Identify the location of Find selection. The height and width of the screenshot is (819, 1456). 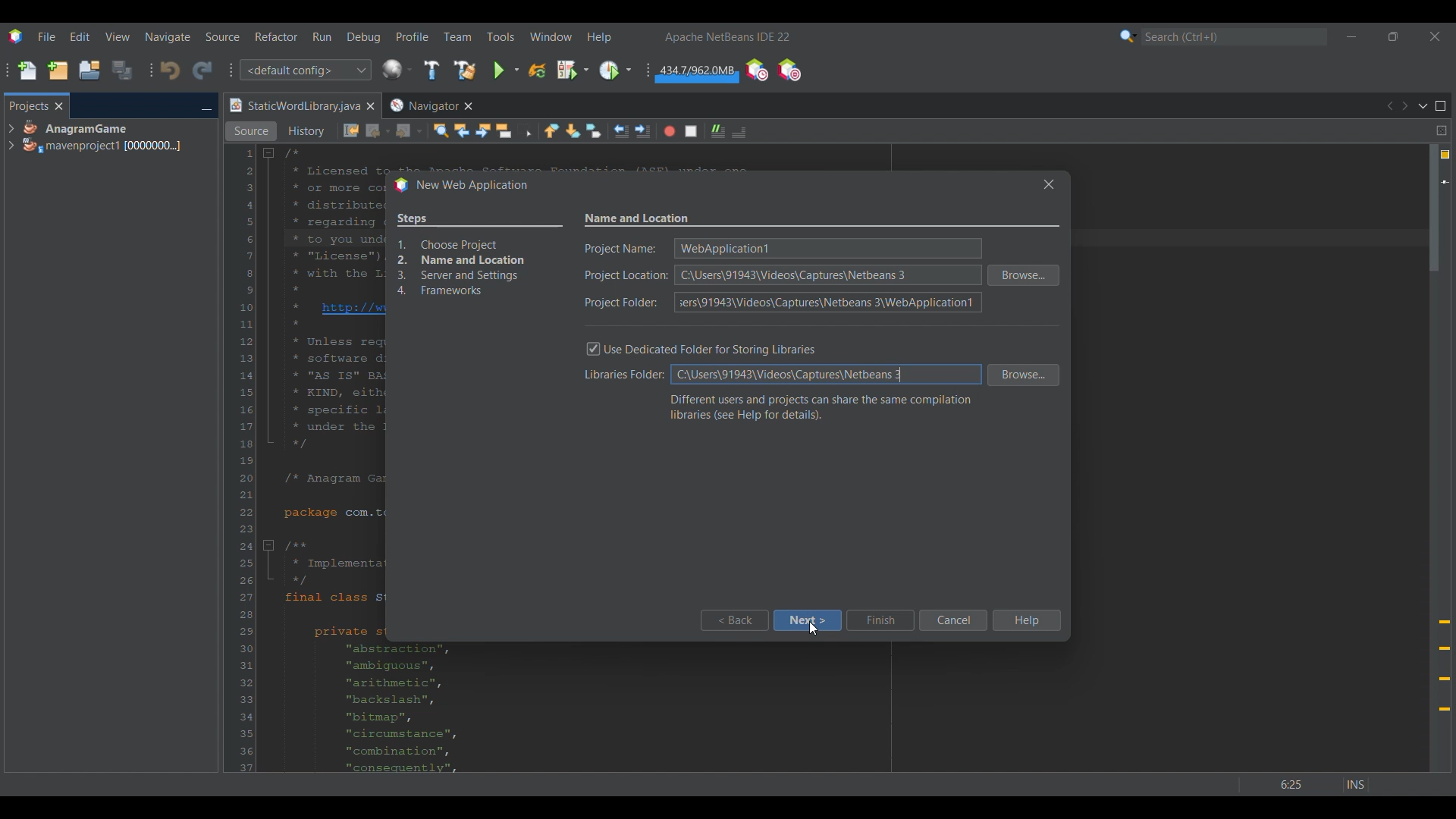
(441, 130).